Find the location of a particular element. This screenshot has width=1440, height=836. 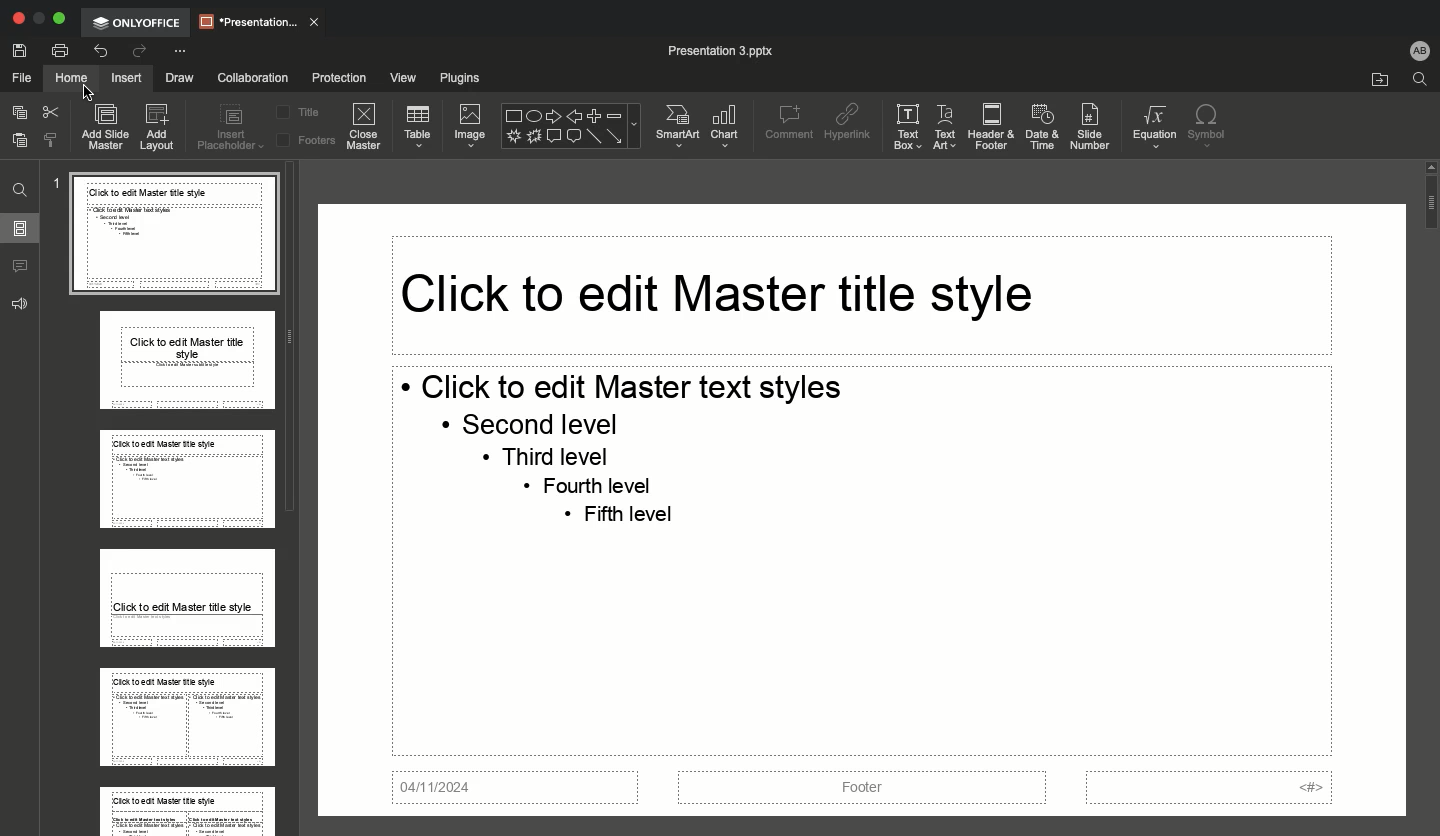

Draw is located at coordinates (179, 79).